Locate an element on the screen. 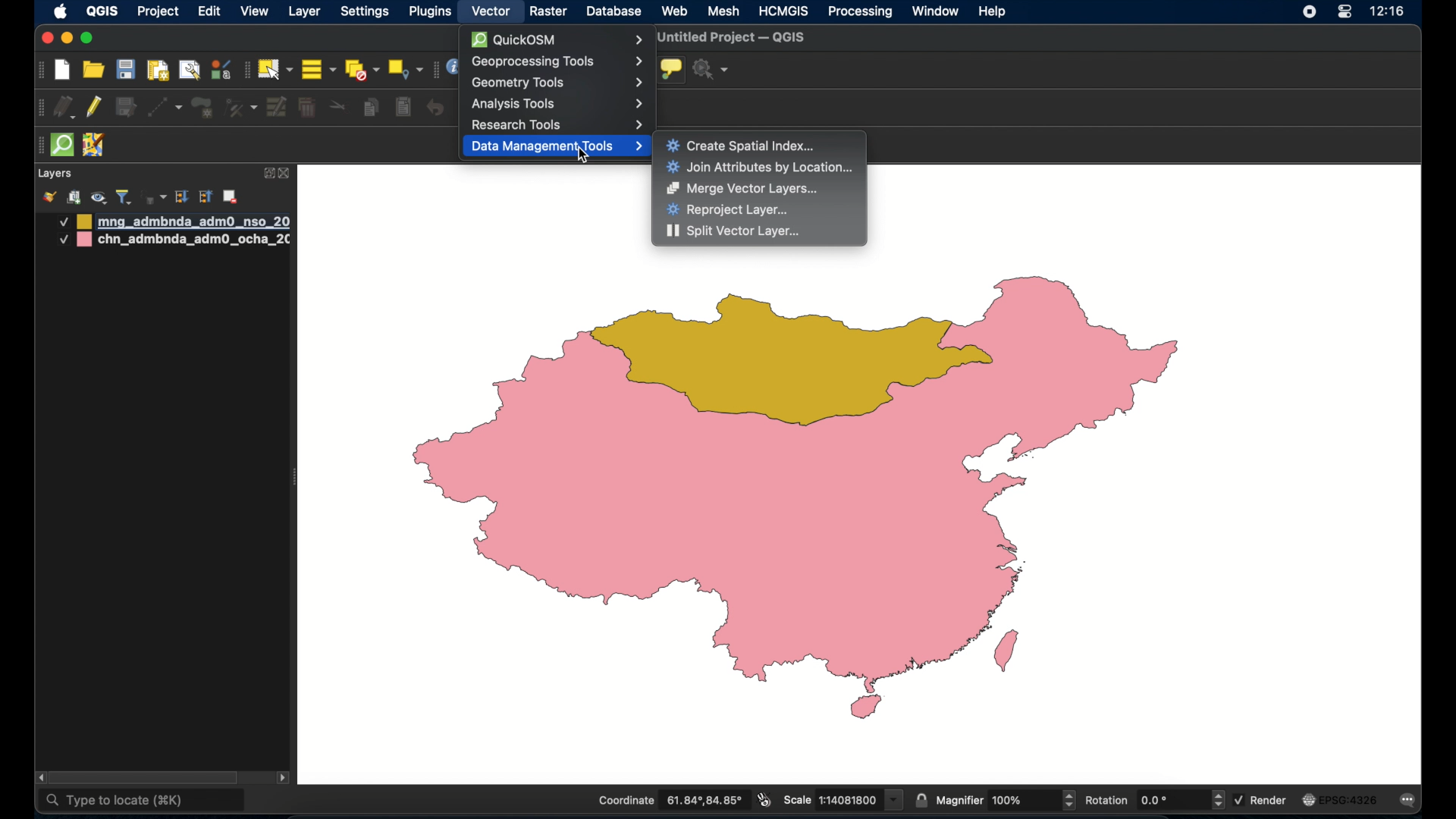 This screenshot has height=819, width=1456. deselect all features is located at coordinates (362, 71).